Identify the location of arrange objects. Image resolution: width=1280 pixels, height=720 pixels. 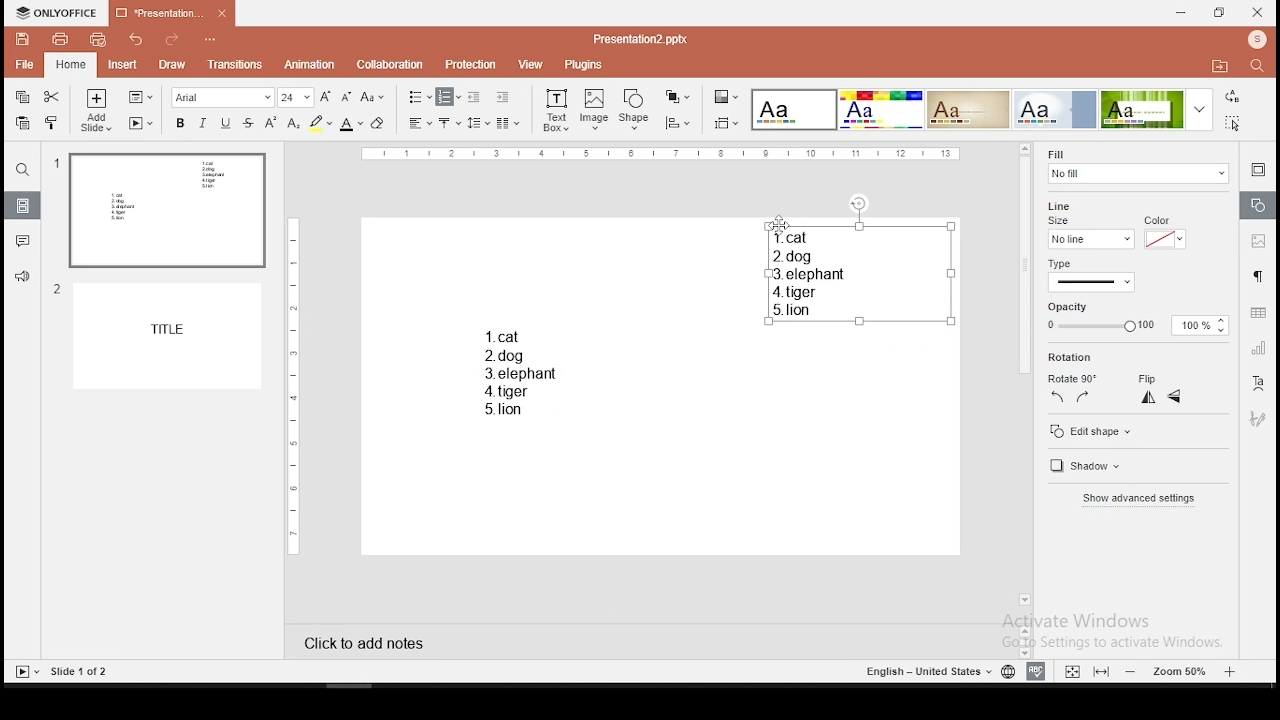
(677, 98).